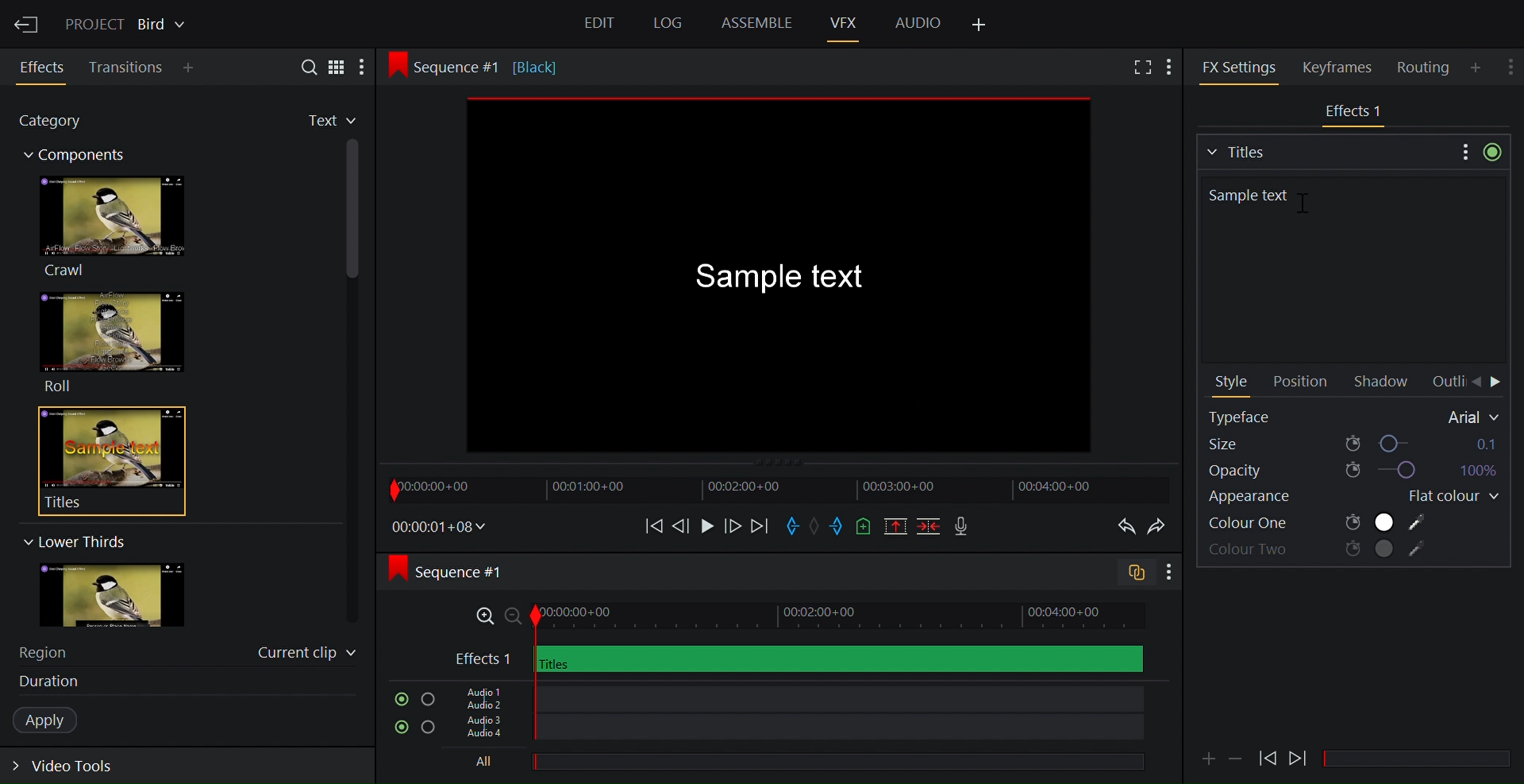 The width and height of the screenshot is (1524, 784). What do you see at coordinates (756, 23) in the screenshot?
I see `Assemble` at bounding box center [756, 23].